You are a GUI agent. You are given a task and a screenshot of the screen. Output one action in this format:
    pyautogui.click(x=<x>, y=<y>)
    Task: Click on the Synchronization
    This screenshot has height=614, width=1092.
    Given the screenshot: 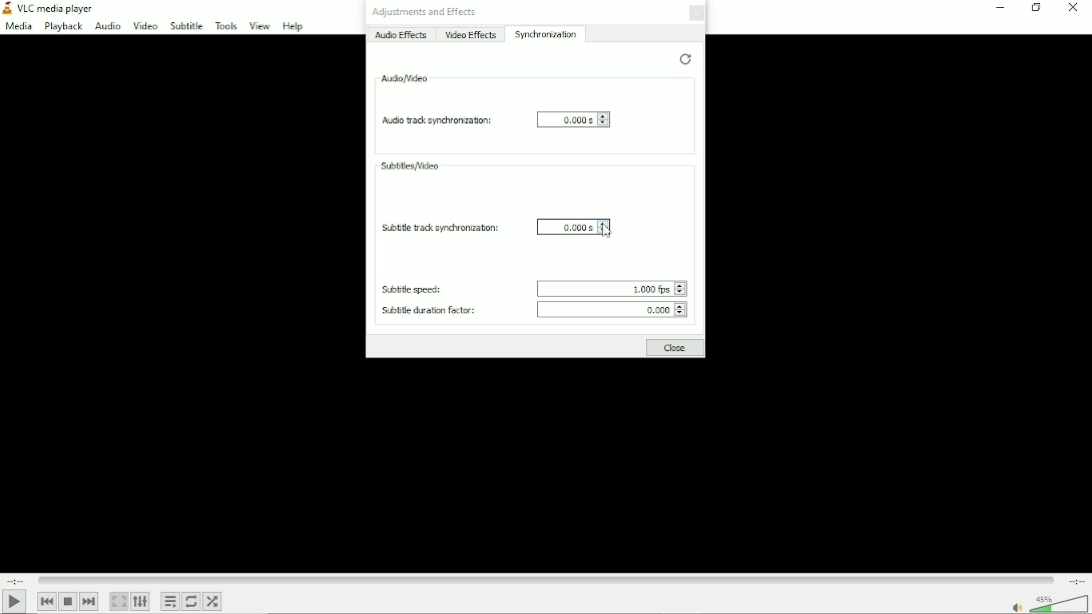 What is the action you would take?
    pyautogui.click(x=548, y=34)
    